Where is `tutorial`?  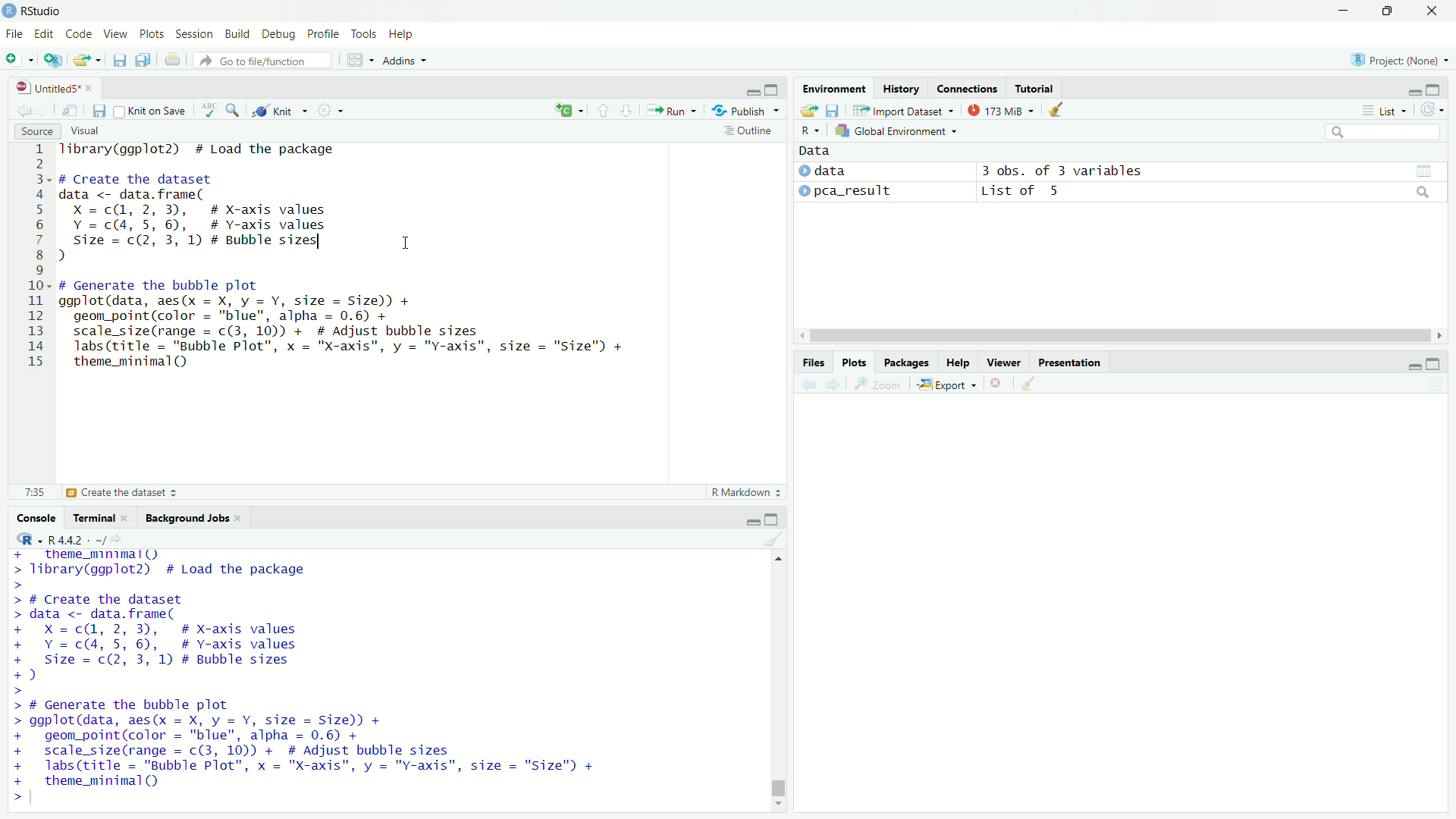 tutorial is located at coordinates (1036, 88).